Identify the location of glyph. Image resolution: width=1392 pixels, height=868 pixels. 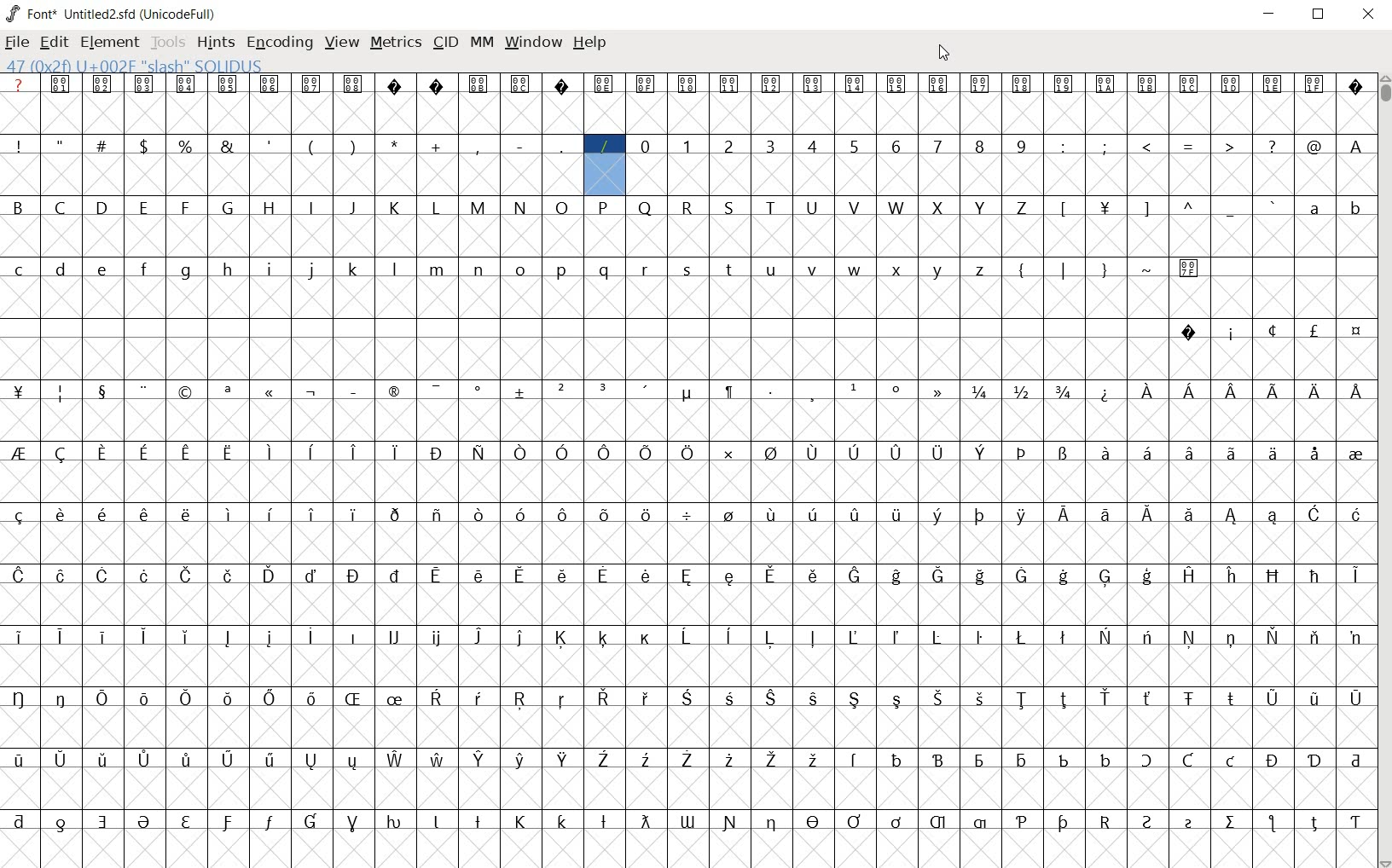
(1147, 84).